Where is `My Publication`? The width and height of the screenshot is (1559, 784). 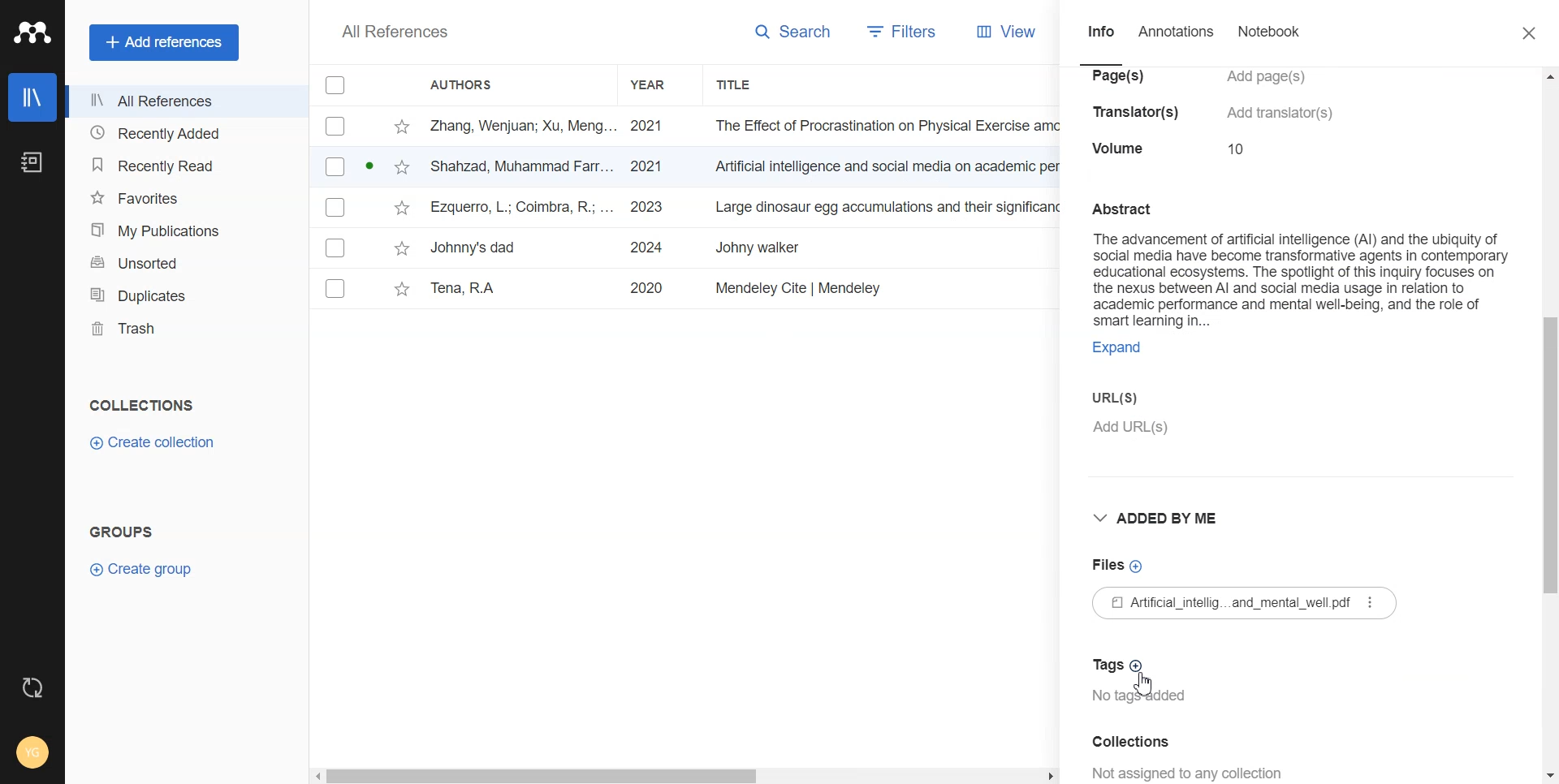
My Publication is located at coordinates (184, 227).